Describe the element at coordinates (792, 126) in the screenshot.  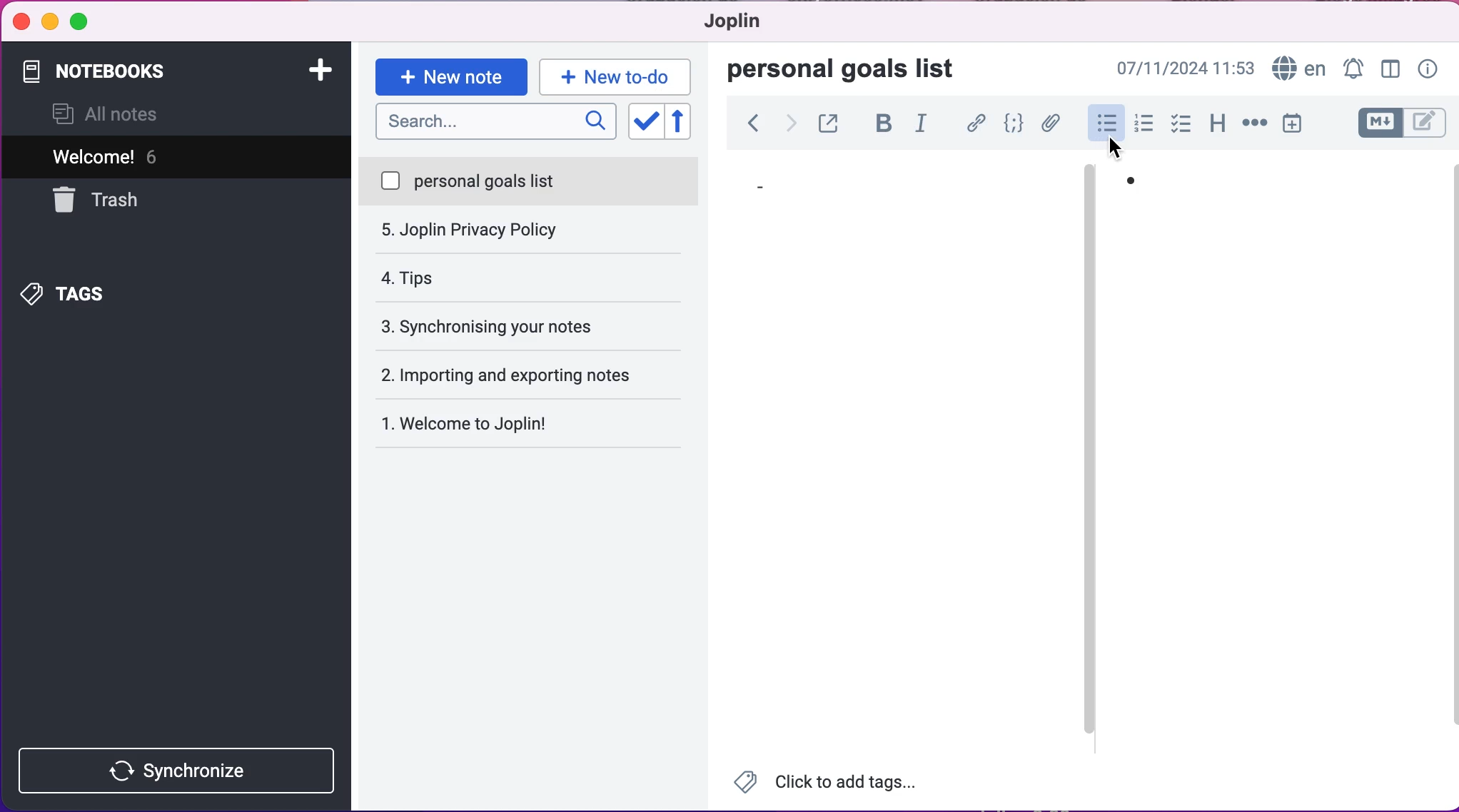
I see `forward` at that location.